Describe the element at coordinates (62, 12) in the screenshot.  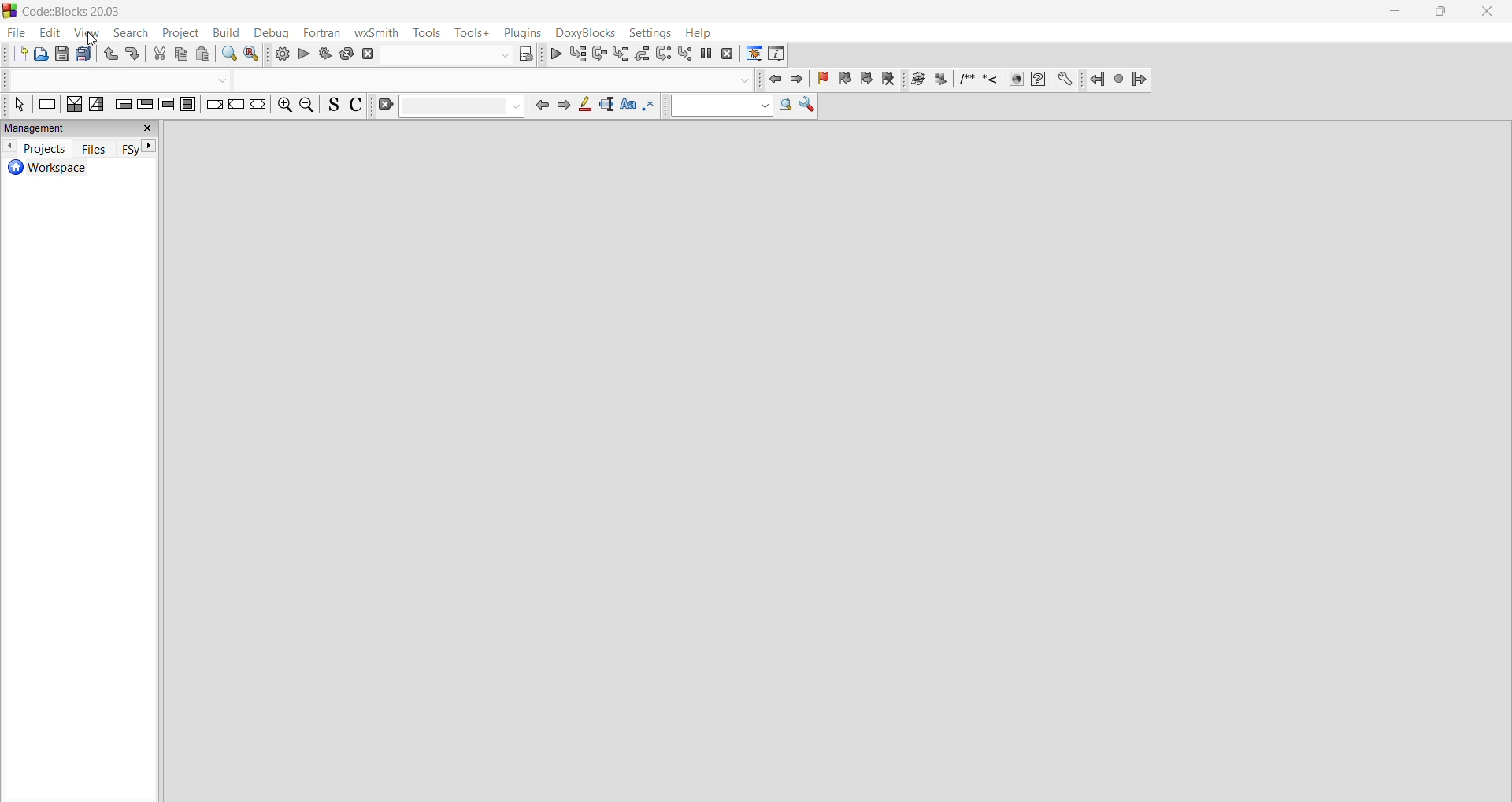
I see `Code::Blocks 20.03` at that location.